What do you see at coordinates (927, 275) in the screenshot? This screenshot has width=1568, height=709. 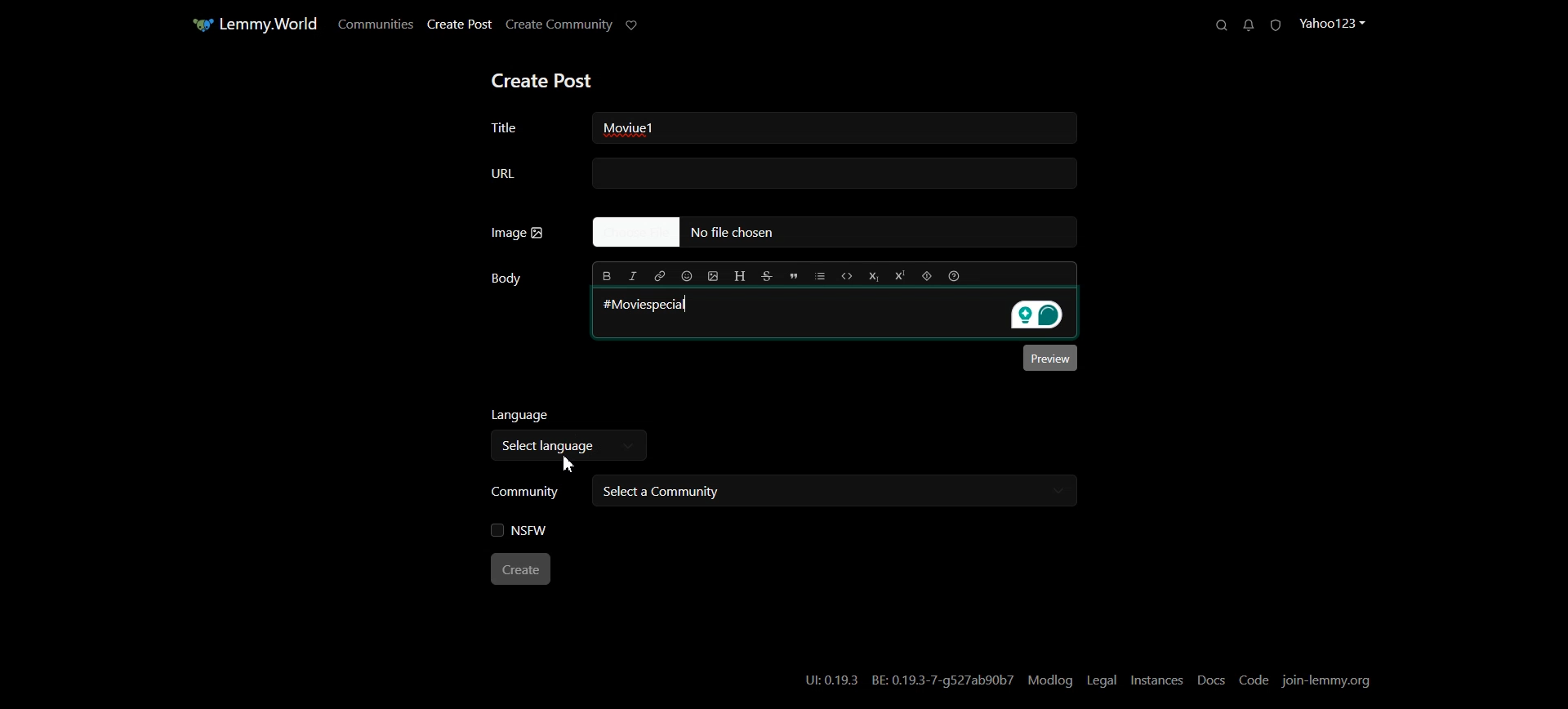 I see `Spoiler` at bounding box center [927, 275].